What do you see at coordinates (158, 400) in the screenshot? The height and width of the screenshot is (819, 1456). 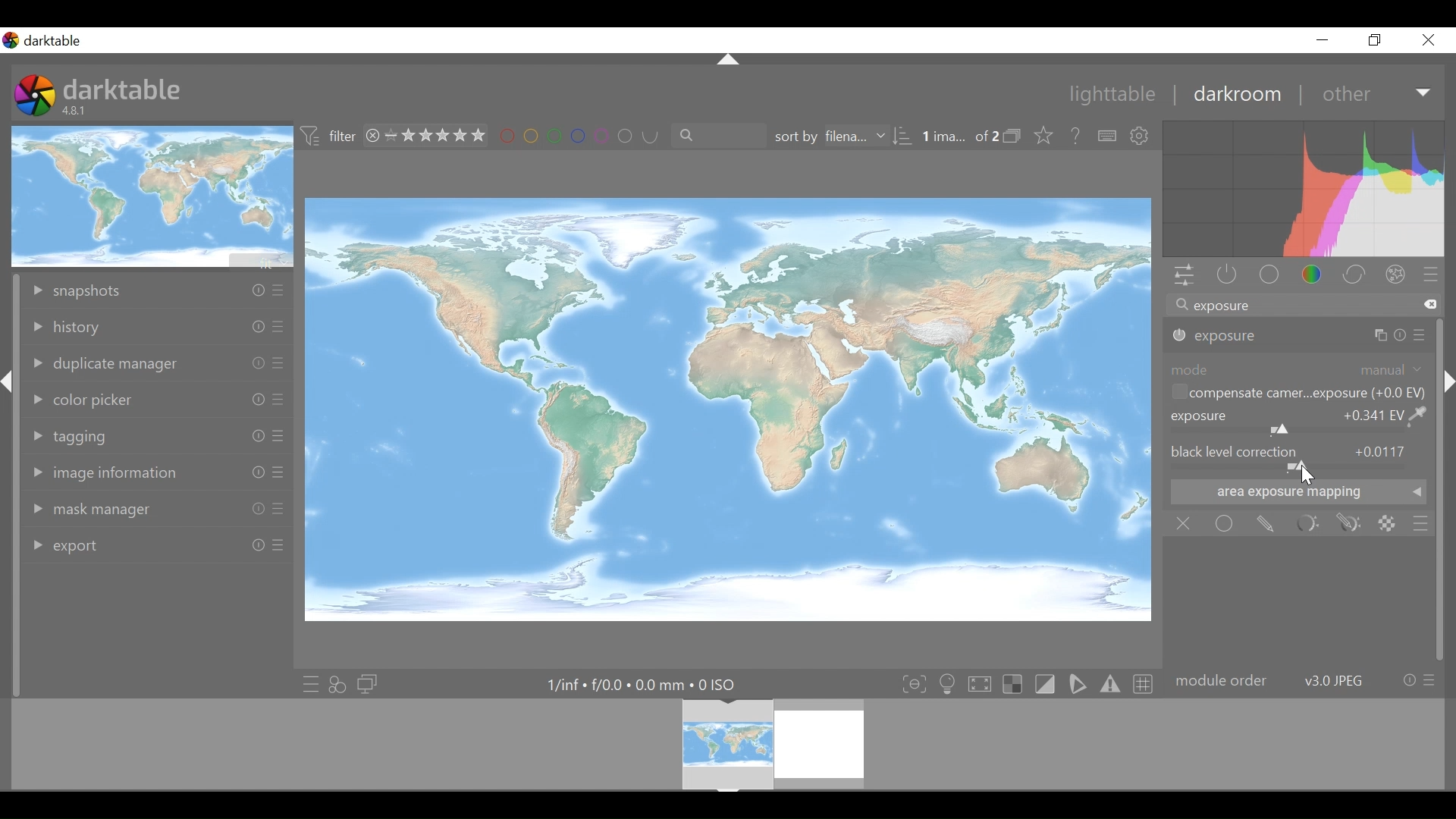 I see `color picker` at bounding box center [158, 400].